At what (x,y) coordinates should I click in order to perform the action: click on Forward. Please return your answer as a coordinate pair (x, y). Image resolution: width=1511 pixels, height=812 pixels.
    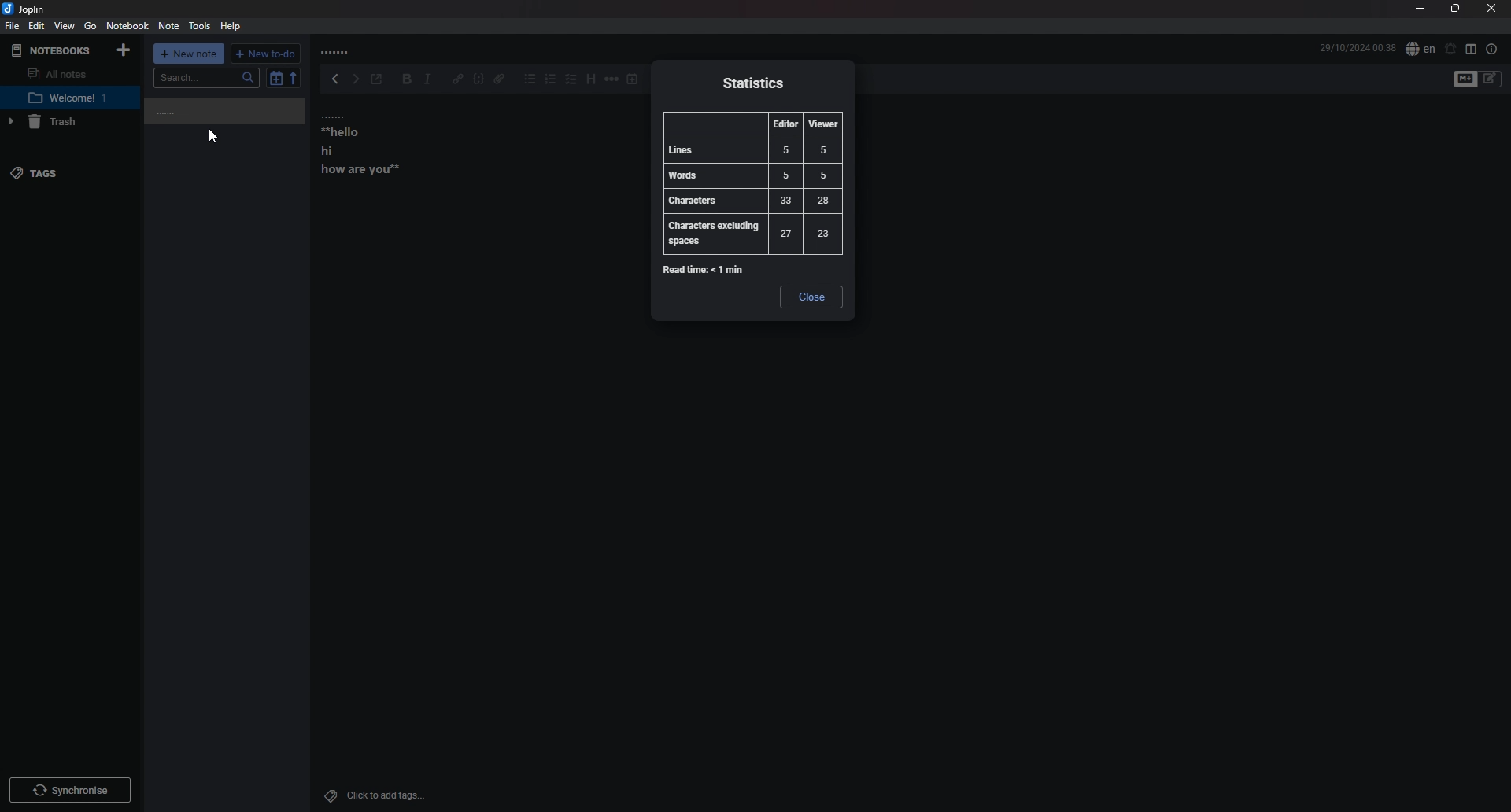
    Looking at the image, I should click on (354, 79).